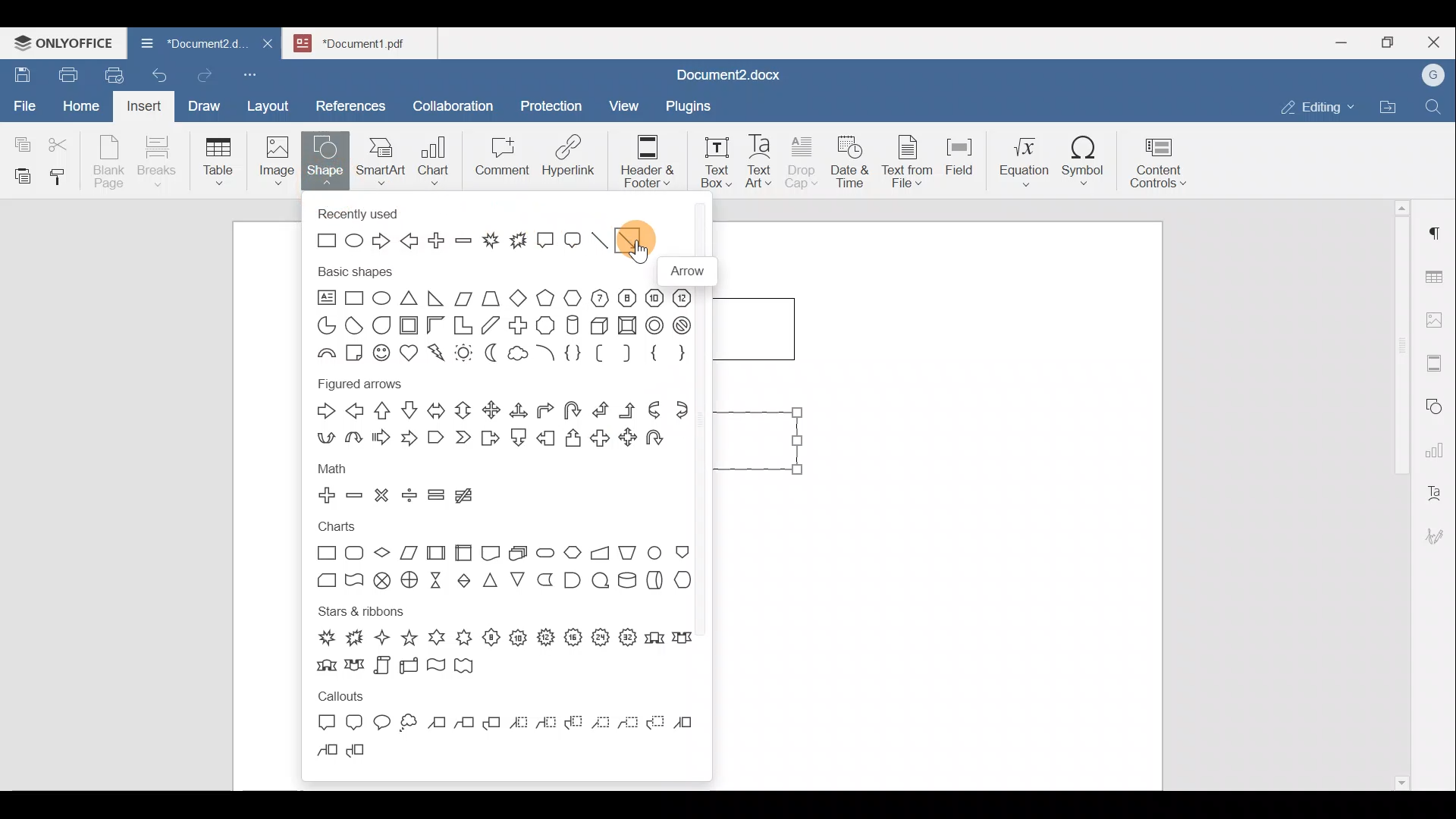 This screenshot has height=819, width=1456. I want to click on Figured arrows, so click(495, 413).